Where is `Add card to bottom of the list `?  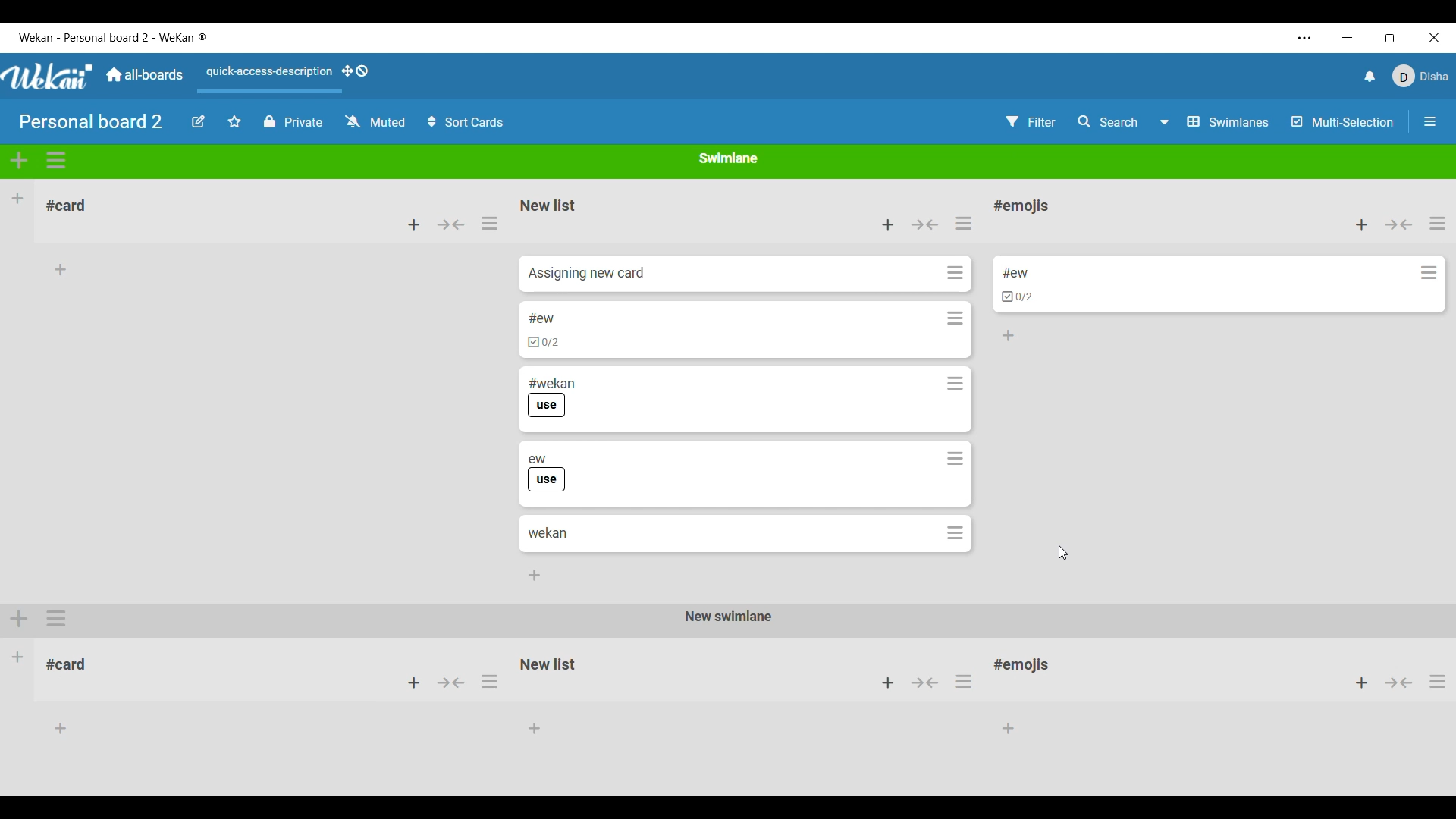 Add card to bottom of the list  is located at coordinates (1009, 335).